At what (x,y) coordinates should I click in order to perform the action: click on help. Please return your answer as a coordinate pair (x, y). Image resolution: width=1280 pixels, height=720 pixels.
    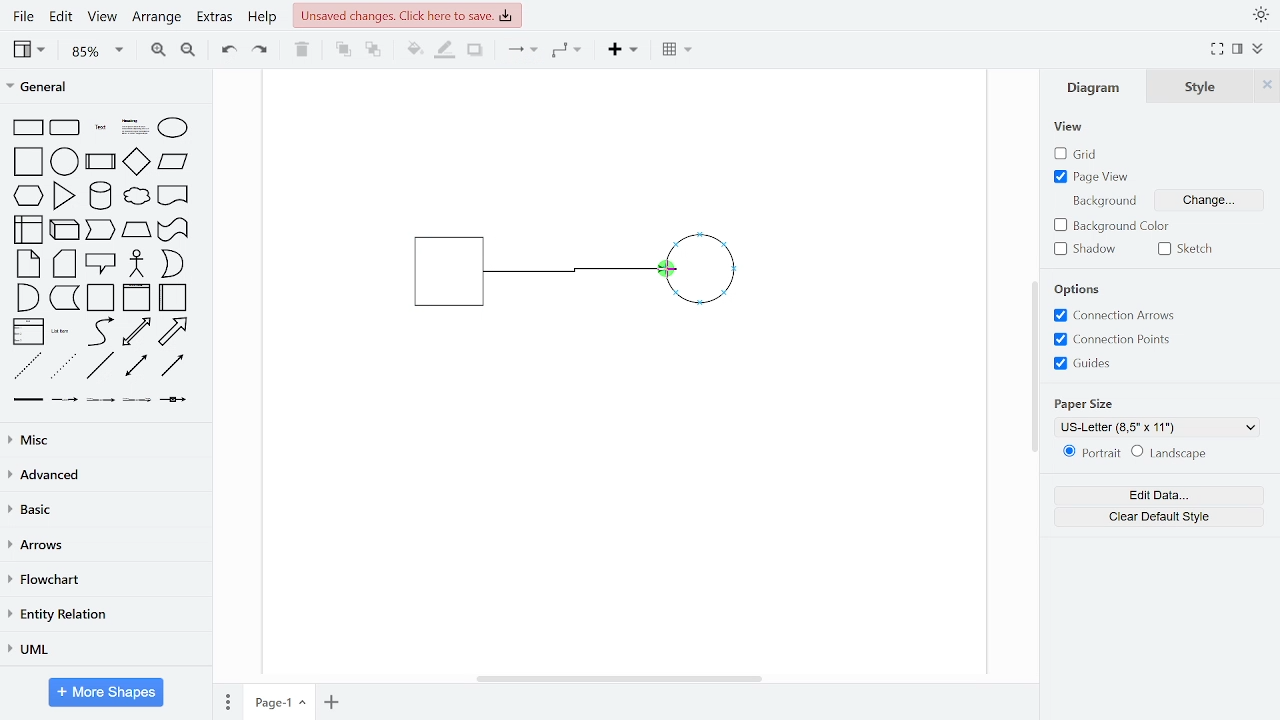
    Looking at the image, I should click on (262, 18).